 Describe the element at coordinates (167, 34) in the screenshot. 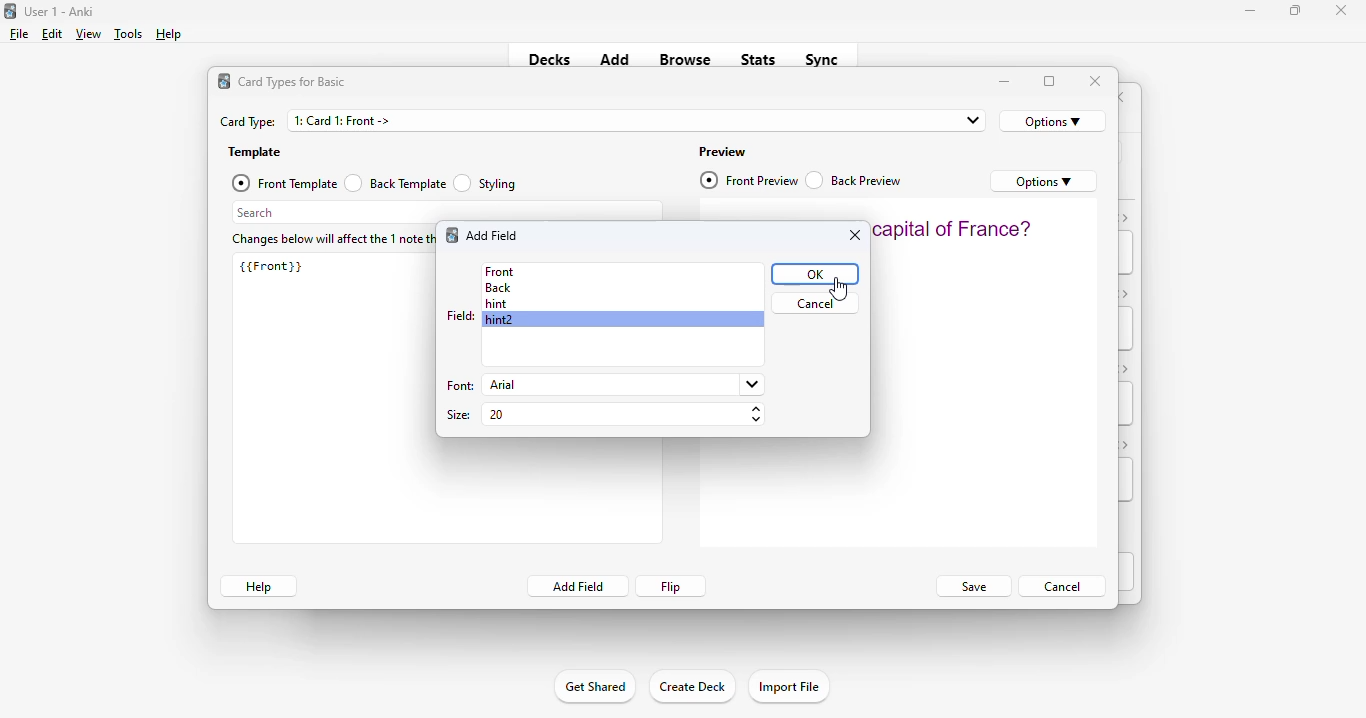

I see `help` at that location.